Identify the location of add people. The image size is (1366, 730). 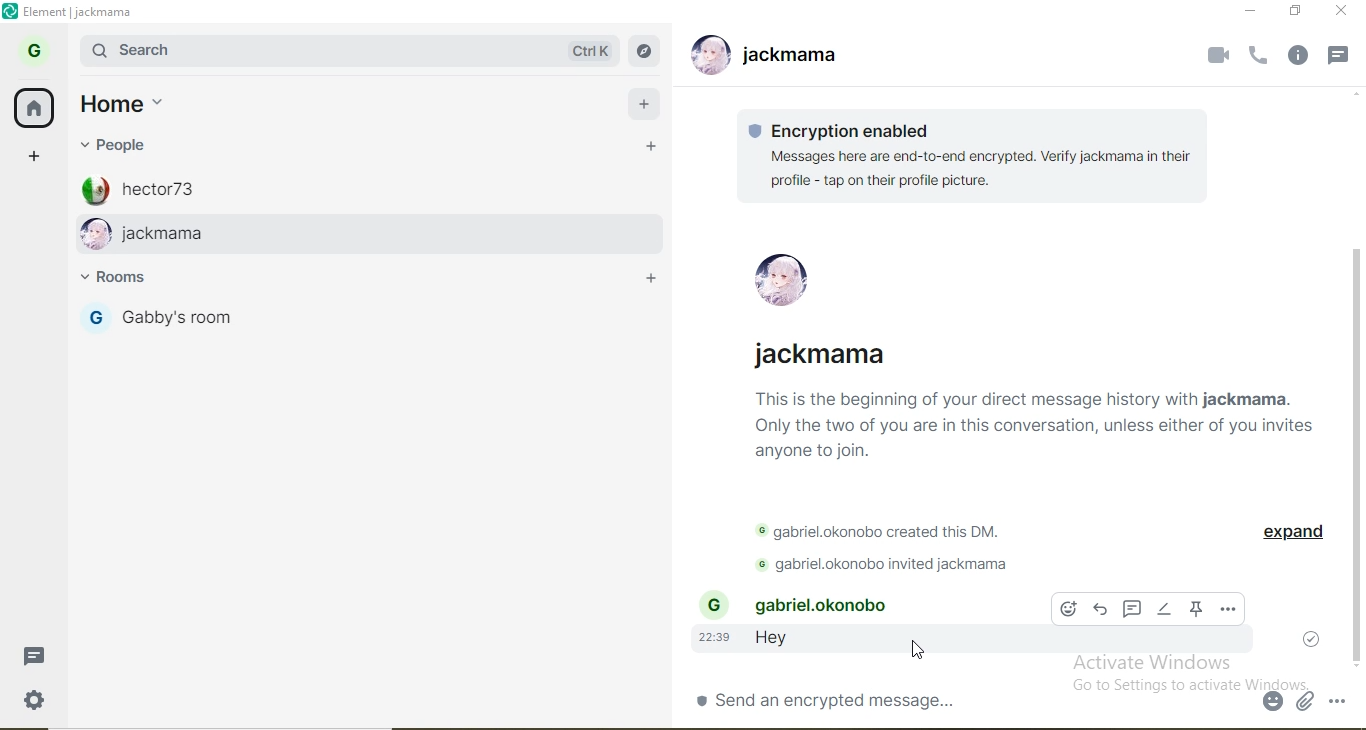
(652, 148).